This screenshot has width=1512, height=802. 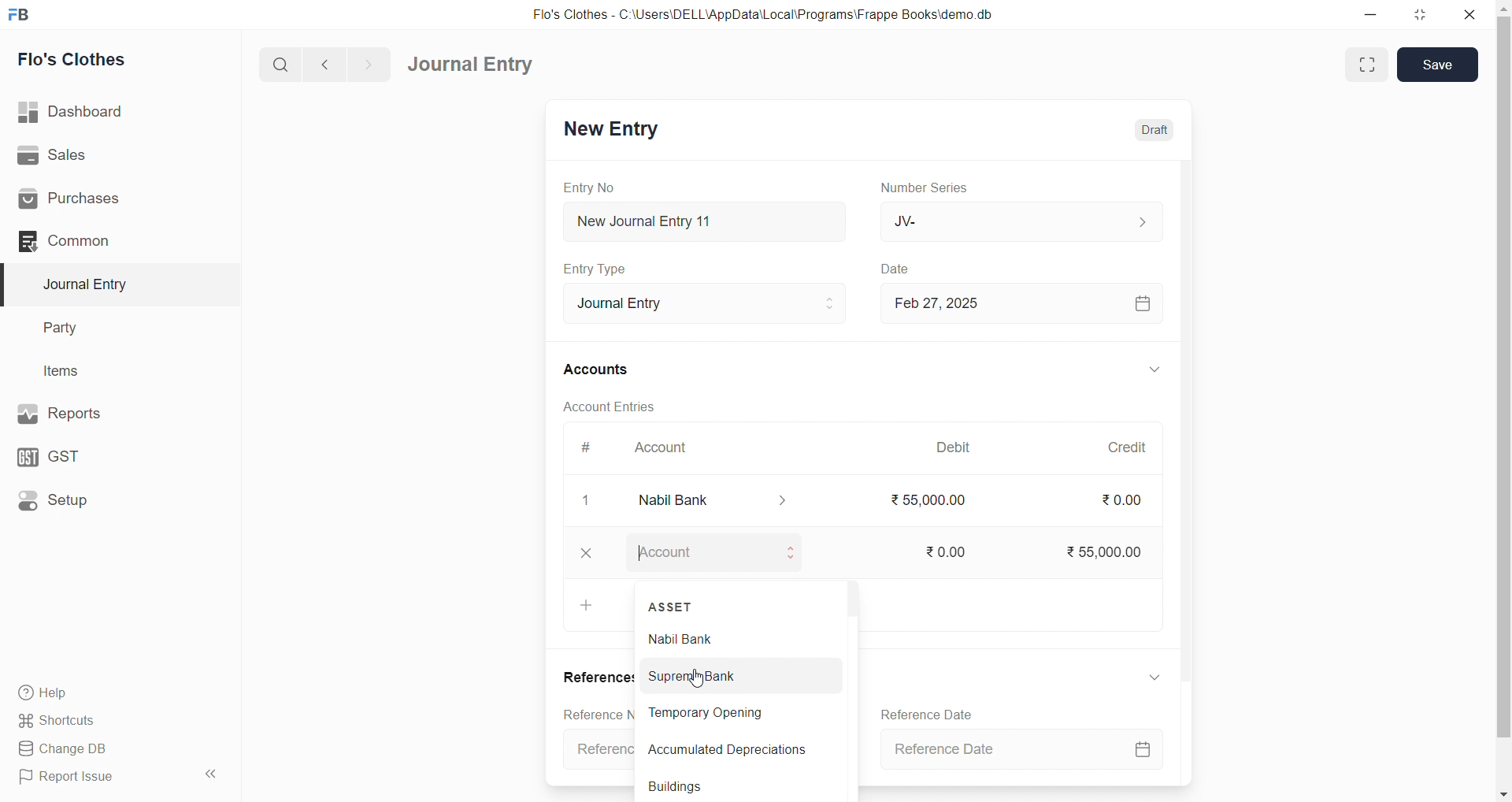 What do you see at coordinates (614, 130) in the screenshot?
I see `New Entry` at bounding box center [614, 130].